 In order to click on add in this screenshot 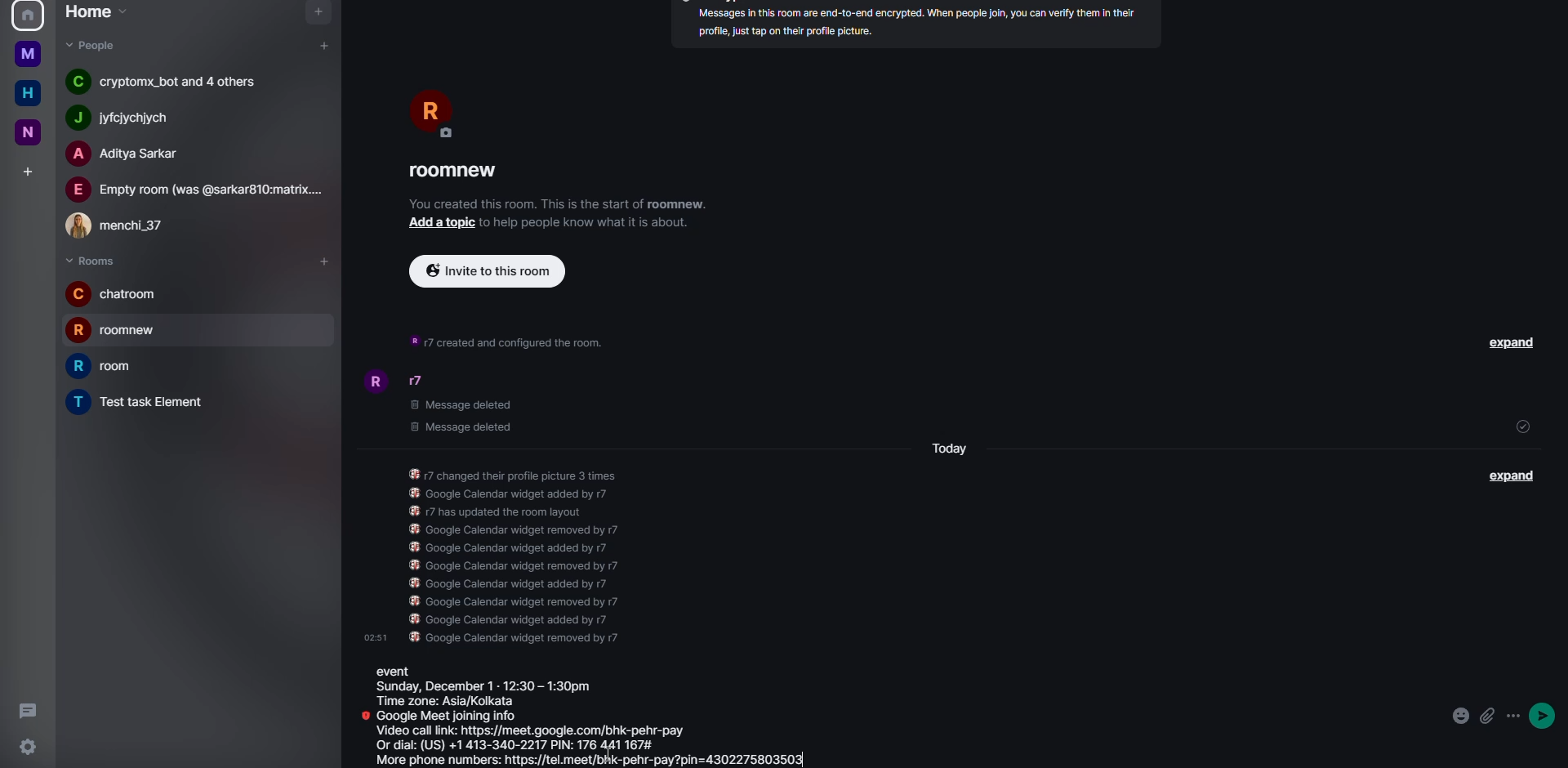, I will do `click(320, 260)`.